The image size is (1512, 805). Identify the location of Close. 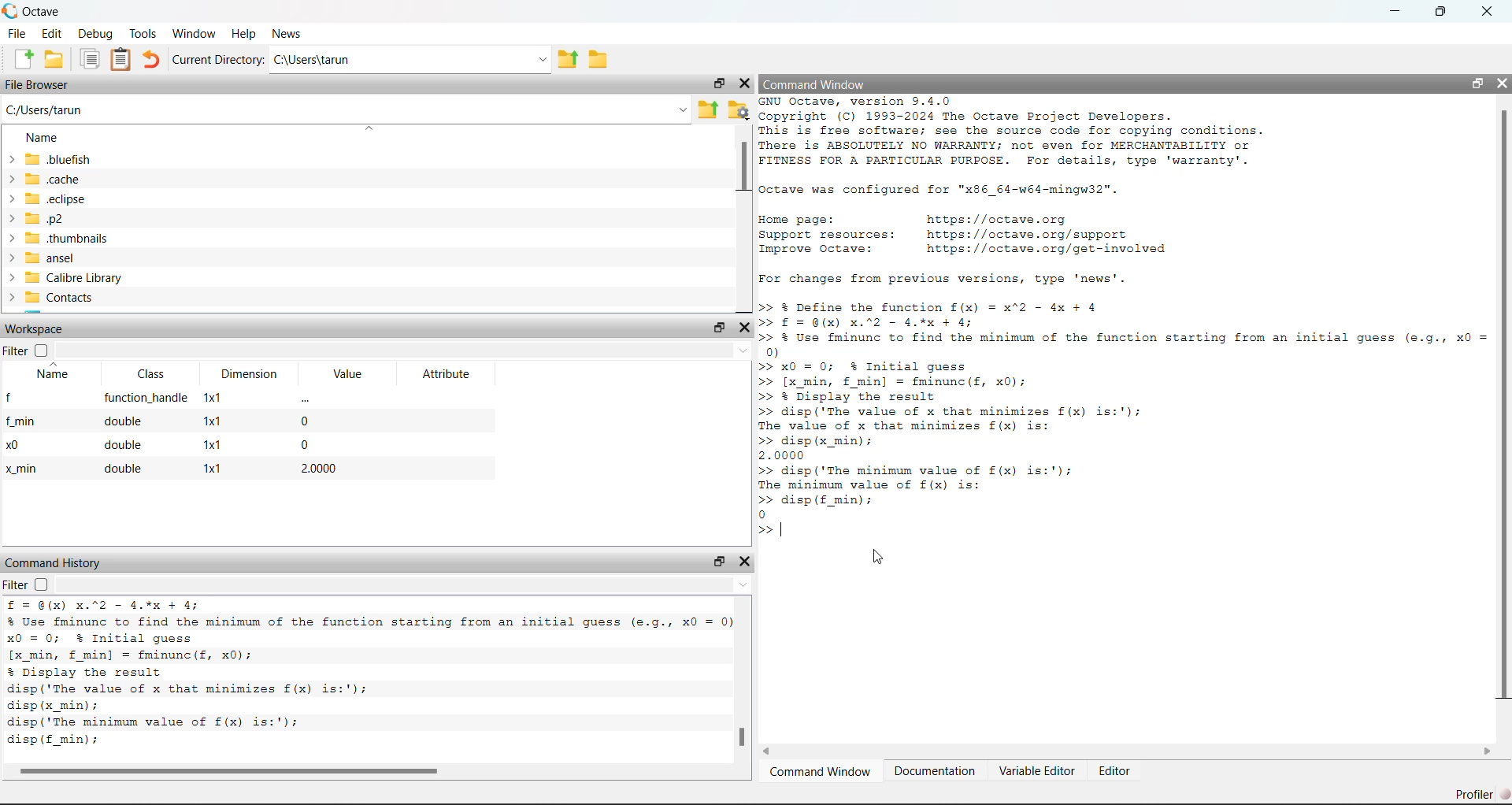
(750, 561).